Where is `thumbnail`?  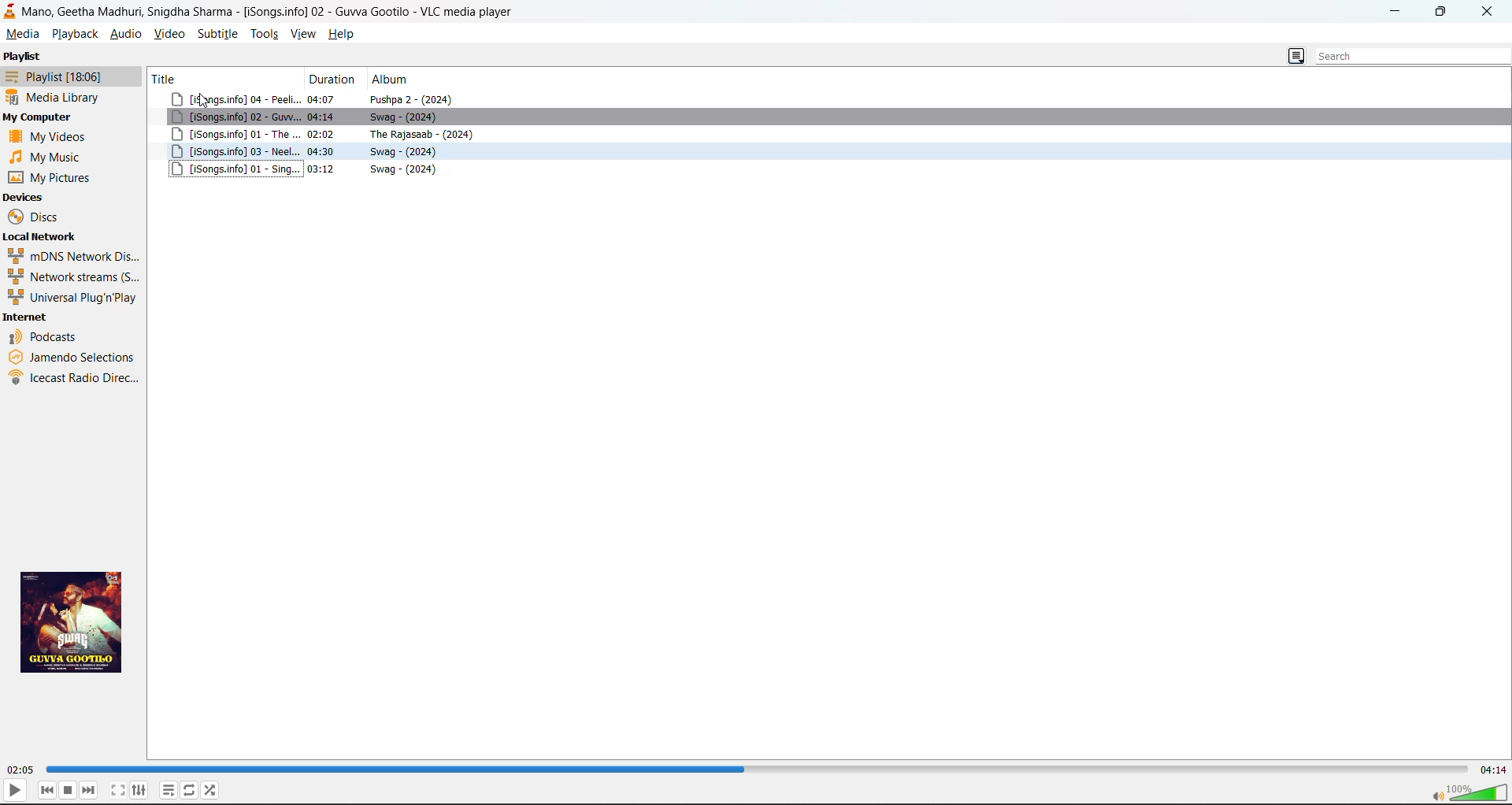
thumbnail is located at coordinates (76, 621).